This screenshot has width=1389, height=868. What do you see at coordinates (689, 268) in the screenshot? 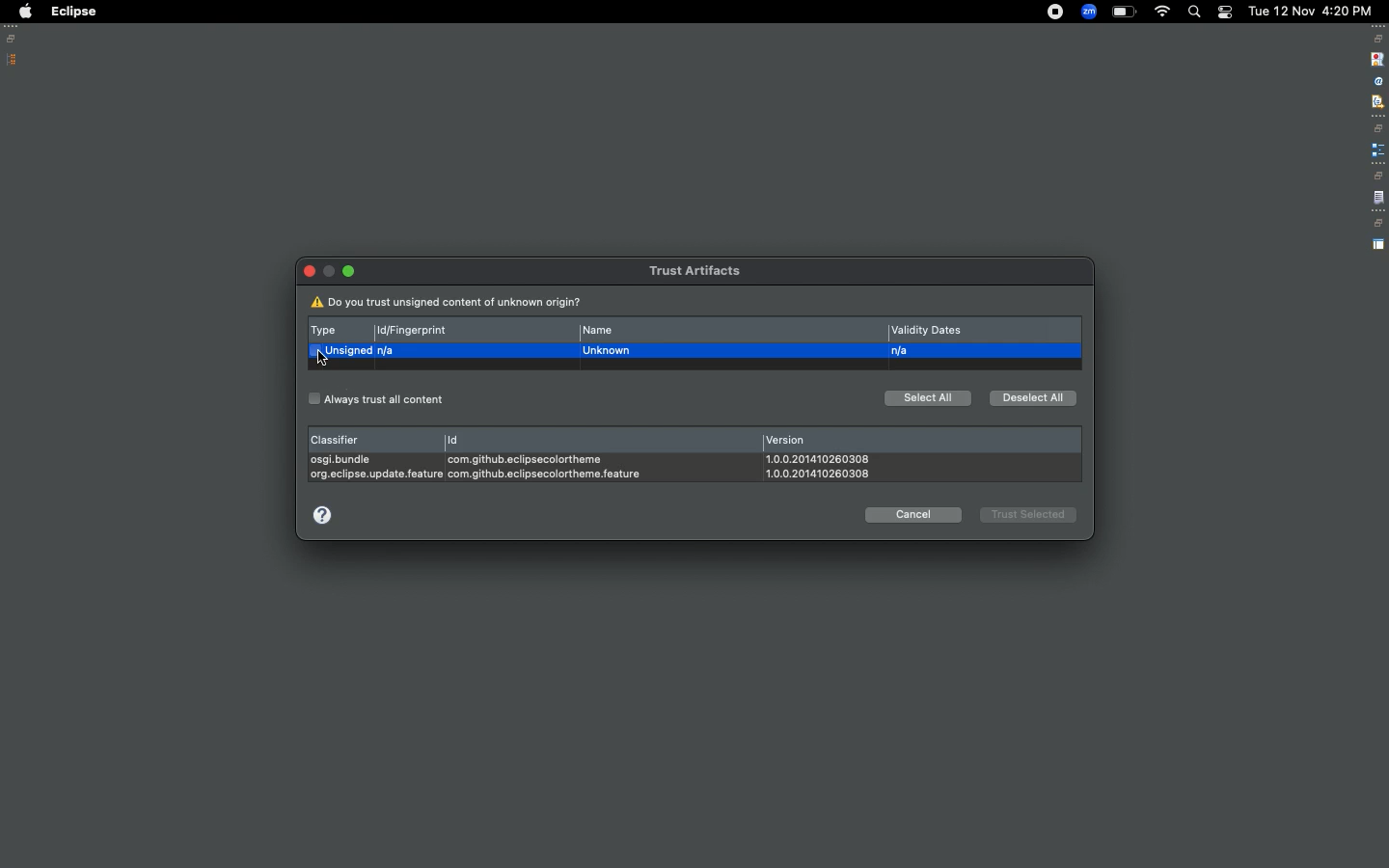
I see `Trust artifacts` at bounding box center [689, 268].